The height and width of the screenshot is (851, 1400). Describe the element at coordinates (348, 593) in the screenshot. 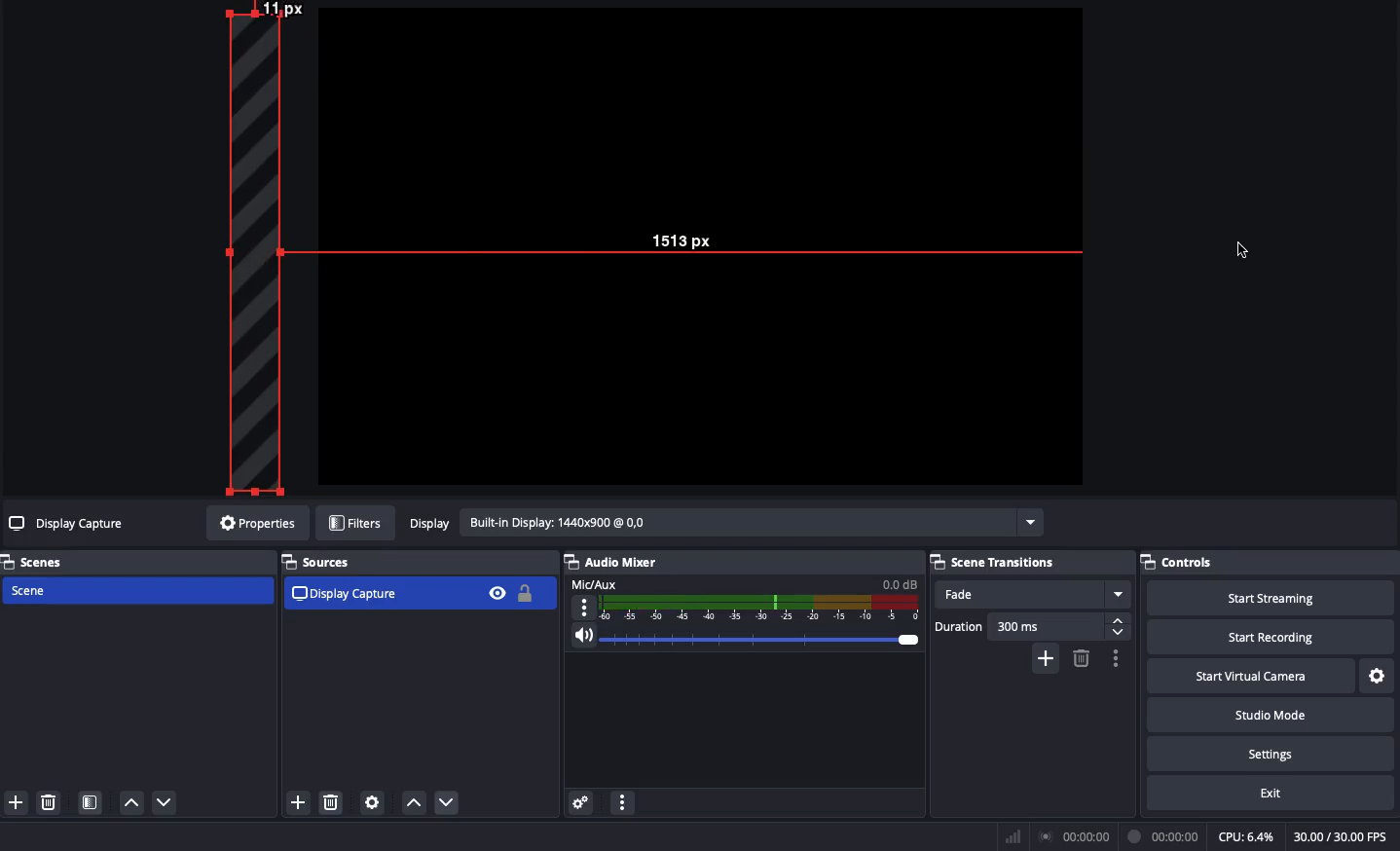

I see `Display capture` at that location.